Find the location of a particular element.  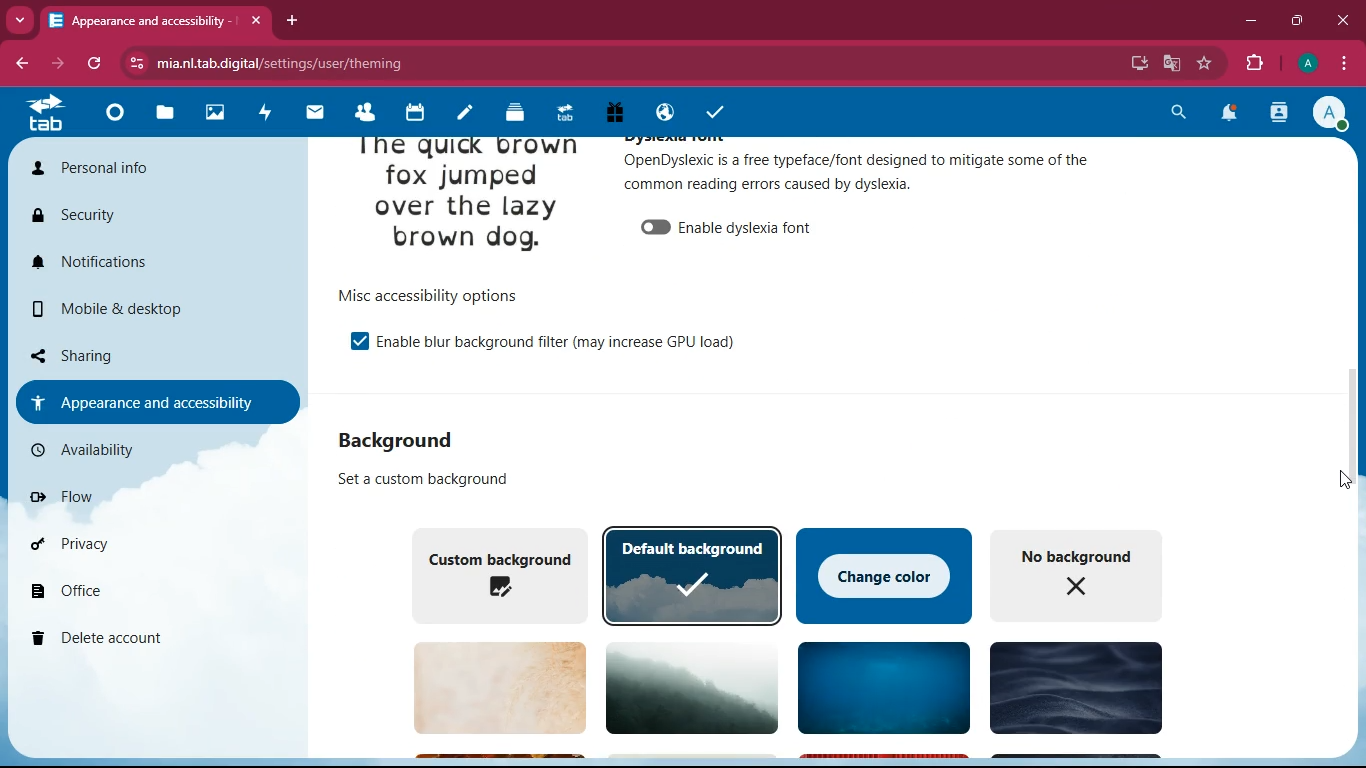

delete is located at coordinates (145, 639).